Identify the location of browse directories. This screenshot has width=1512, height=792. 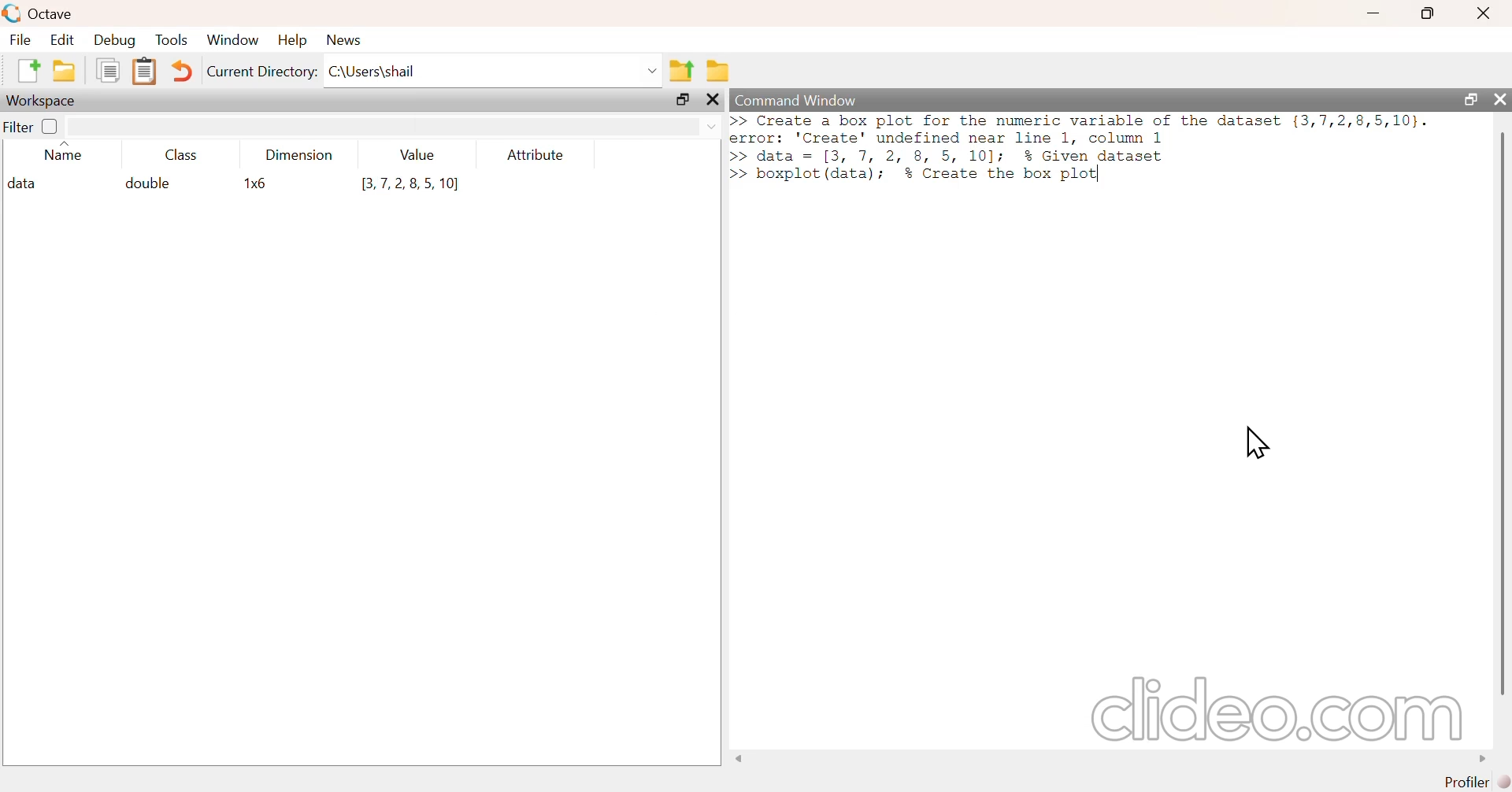
(721, 72).